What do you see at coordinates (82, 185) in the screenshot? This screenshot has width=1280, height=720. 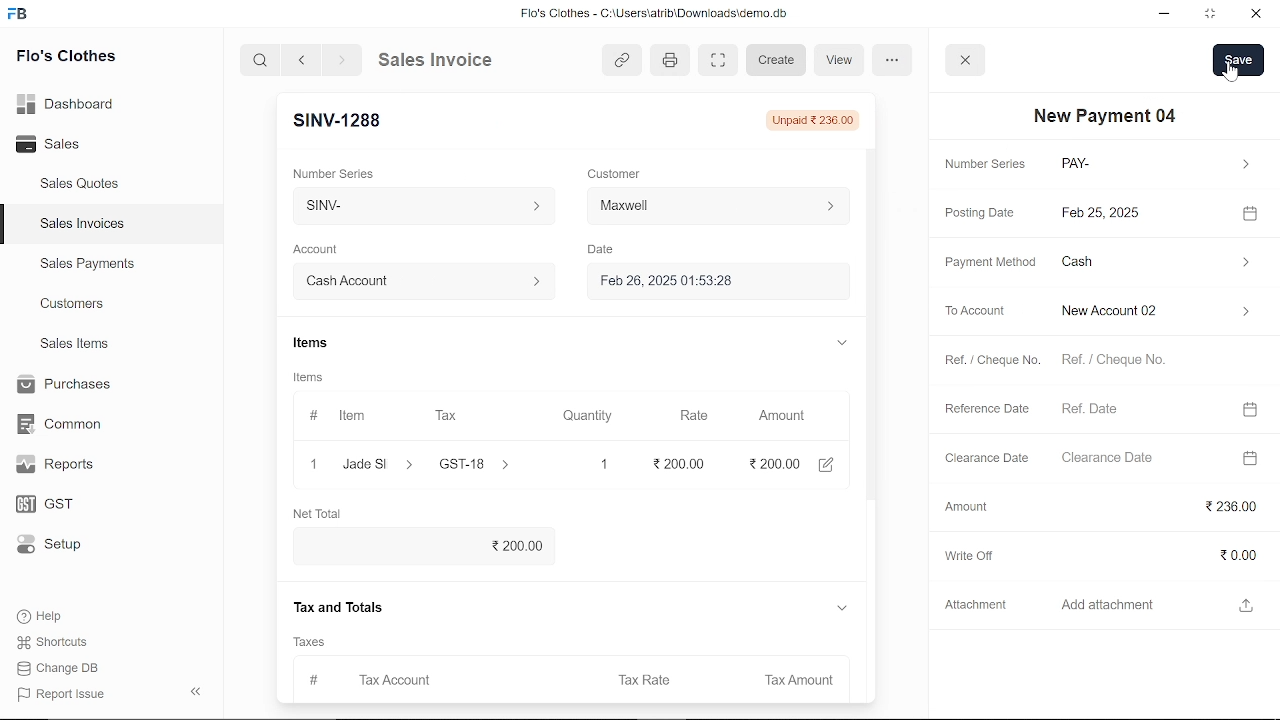 I see `Sales Quotes` at bounding box center [82, 185].